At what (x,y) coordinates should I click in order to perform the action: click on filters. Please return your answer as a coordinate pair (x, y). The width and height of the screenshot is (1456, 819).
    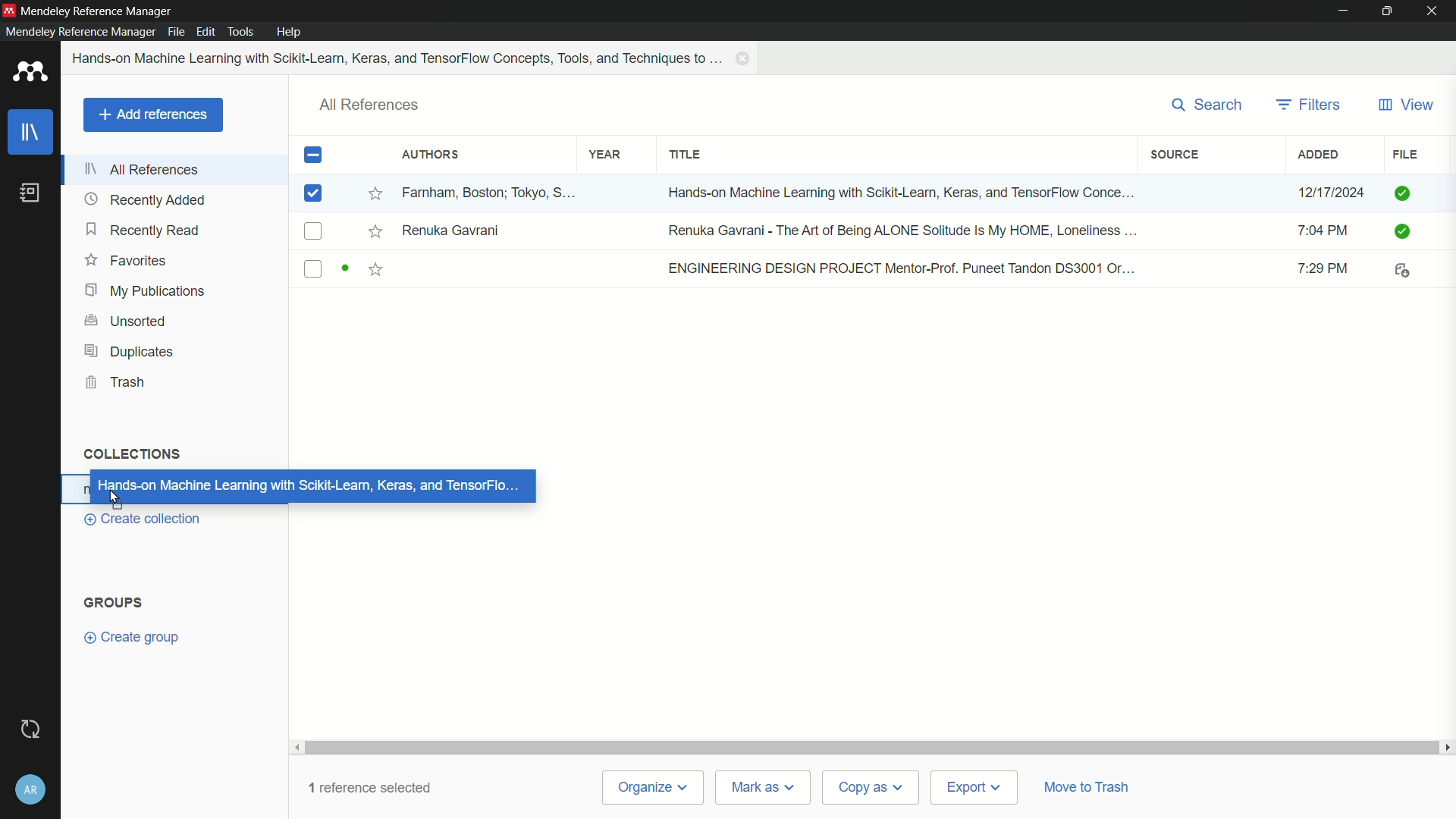
    Looking at the image, I should click on (1308, 105).